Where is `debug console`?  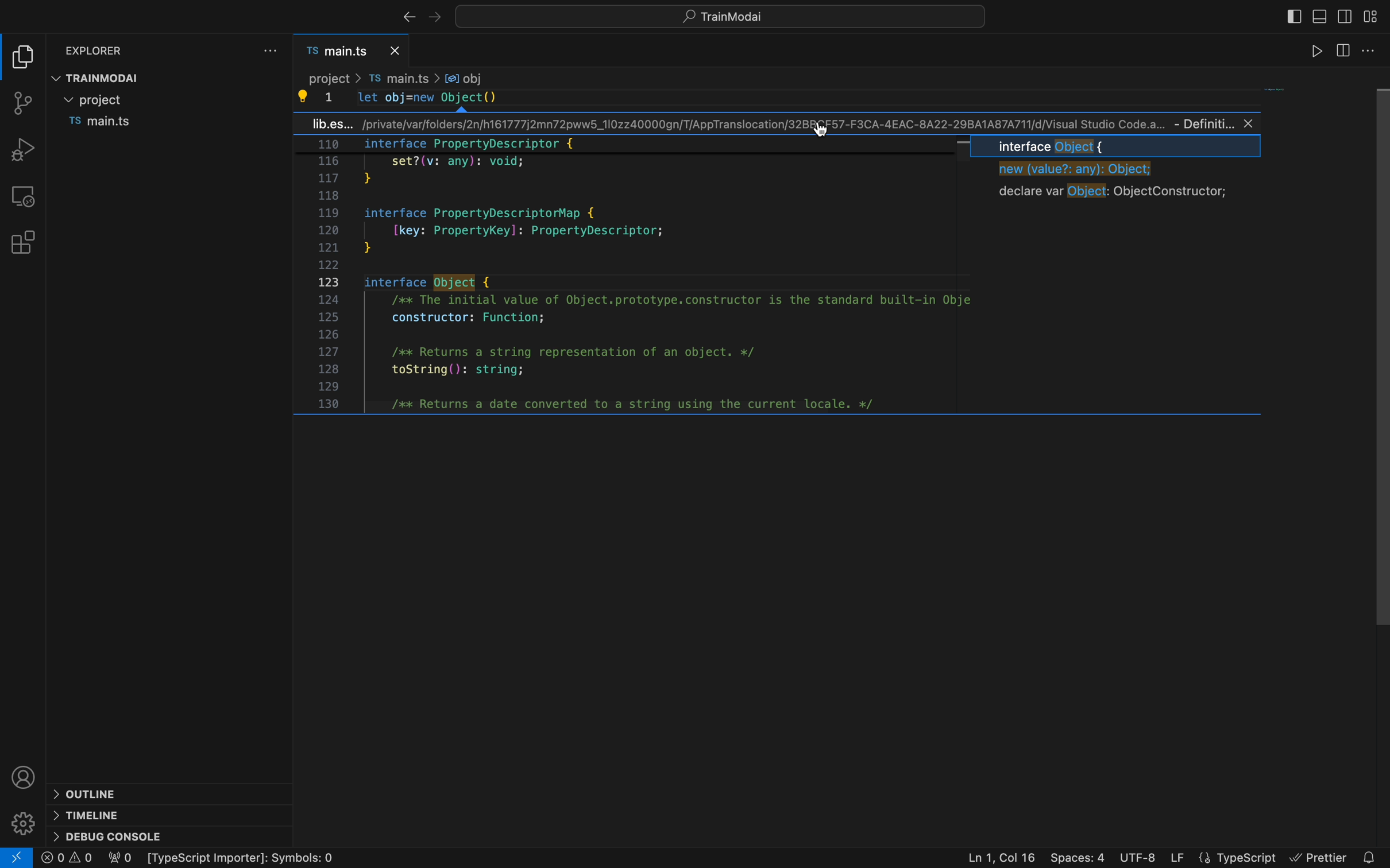 debug console is located at coordinates (113, 835).